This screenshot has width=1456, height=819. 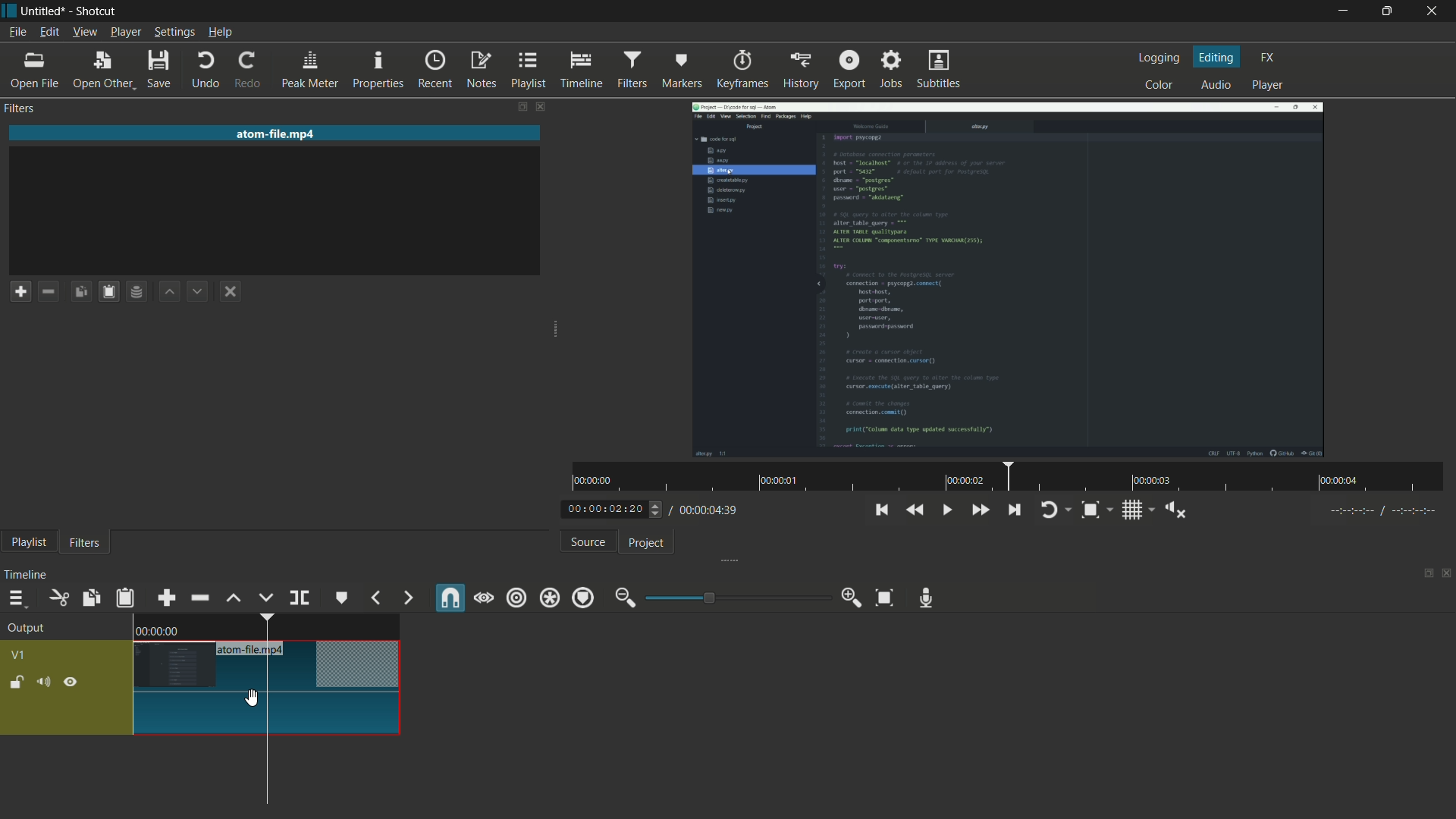 I want to click on source, so click(x=589, y=542).